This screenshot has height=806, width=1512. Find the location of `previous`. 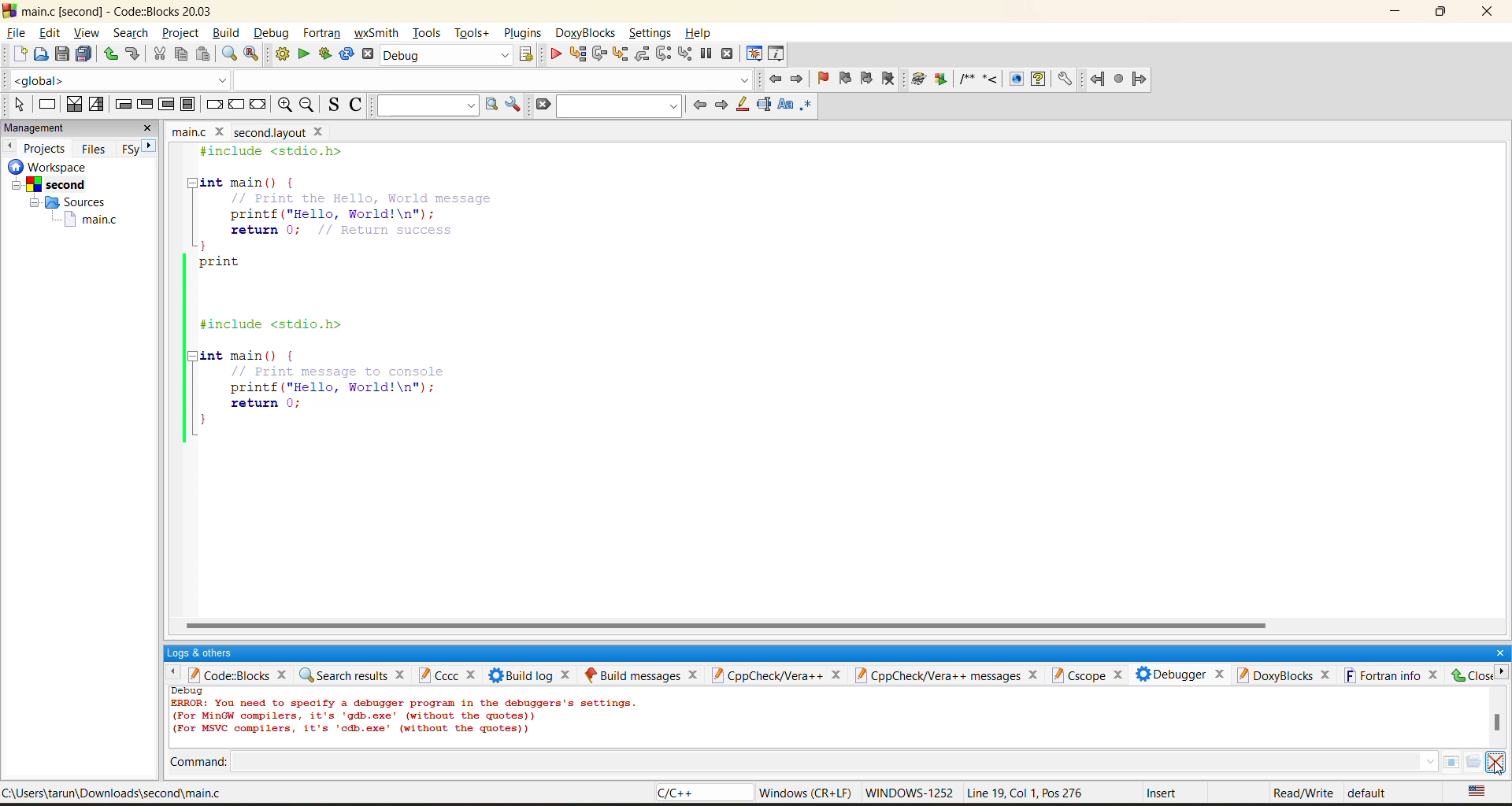

previous is located at coordinates (699, 105).